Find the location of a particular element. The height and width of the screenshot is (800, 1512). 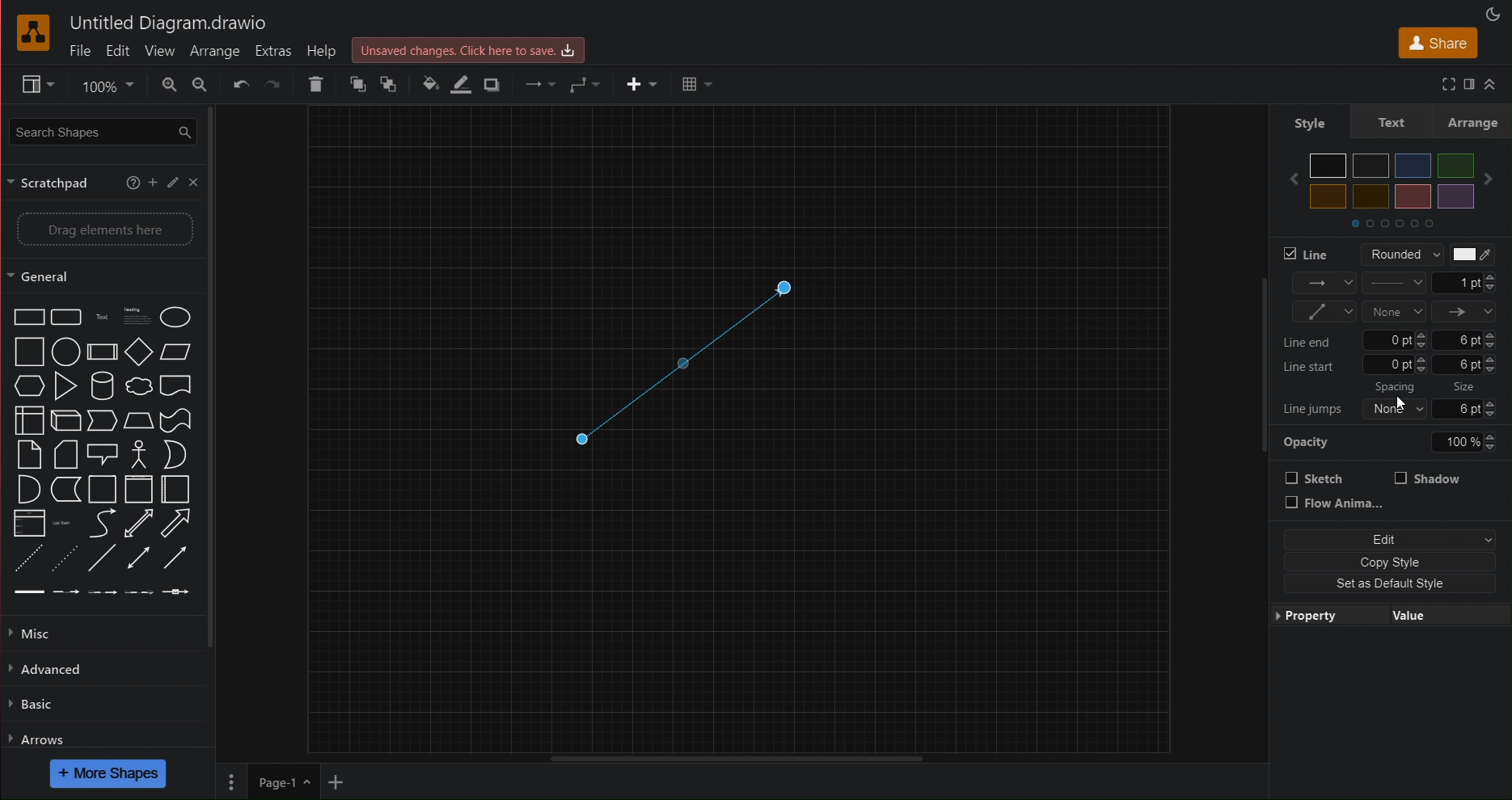

Edit is located at coordinates (1386, 540).